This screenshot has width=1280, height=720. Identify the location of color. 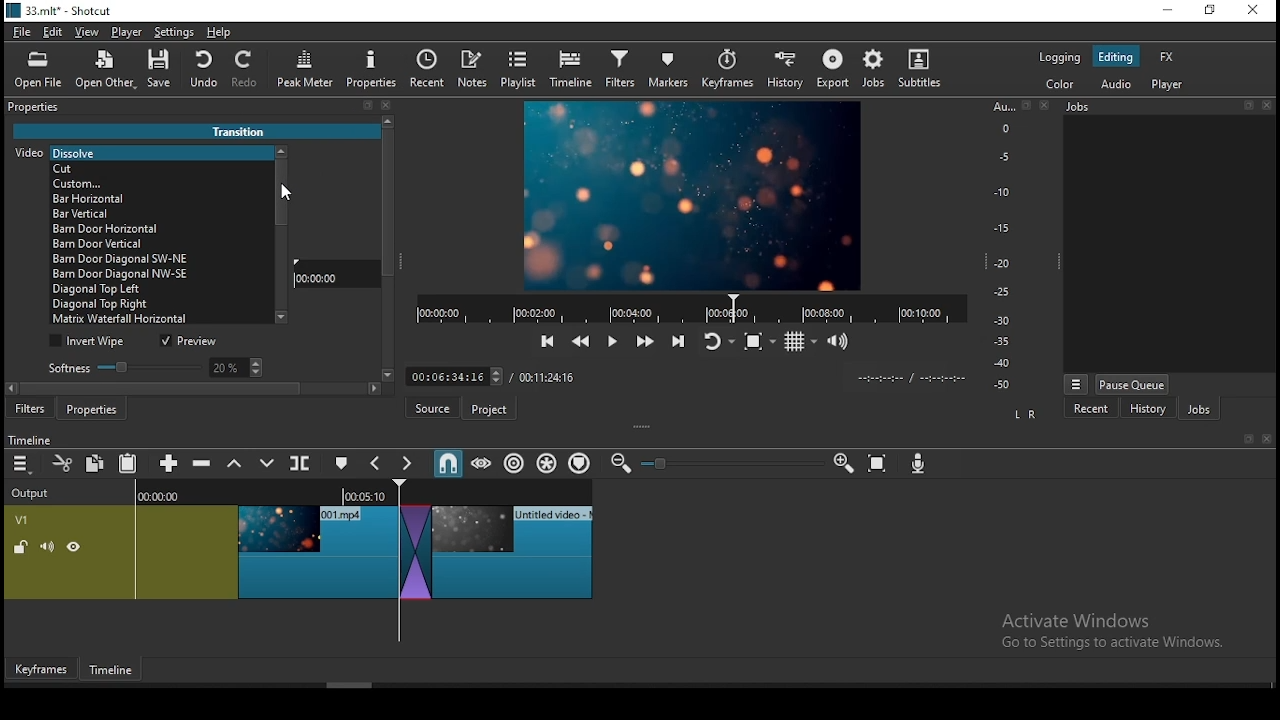
(1060, 57).